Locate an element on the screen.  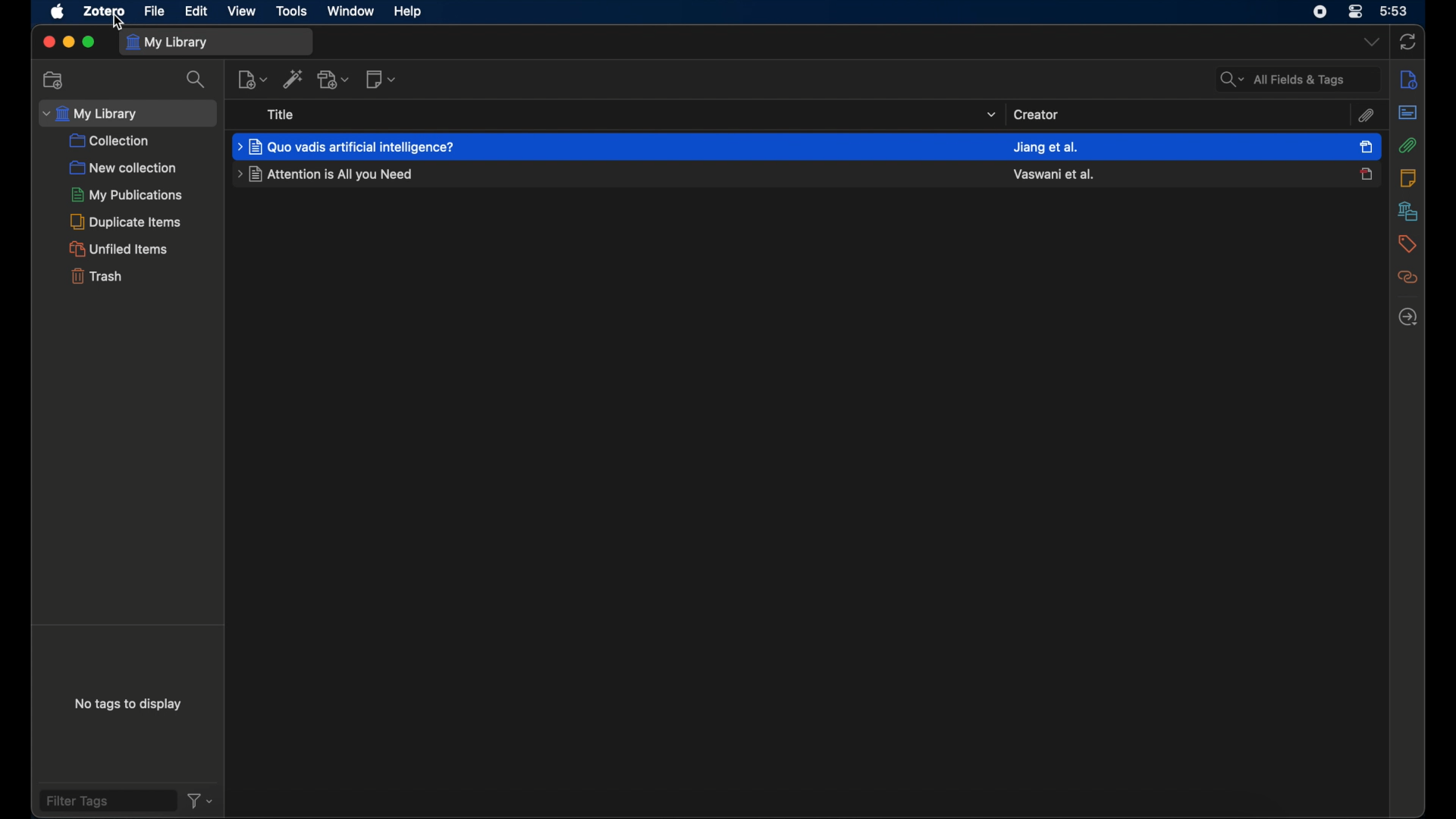
tags is located at coordinates (1406, 244).